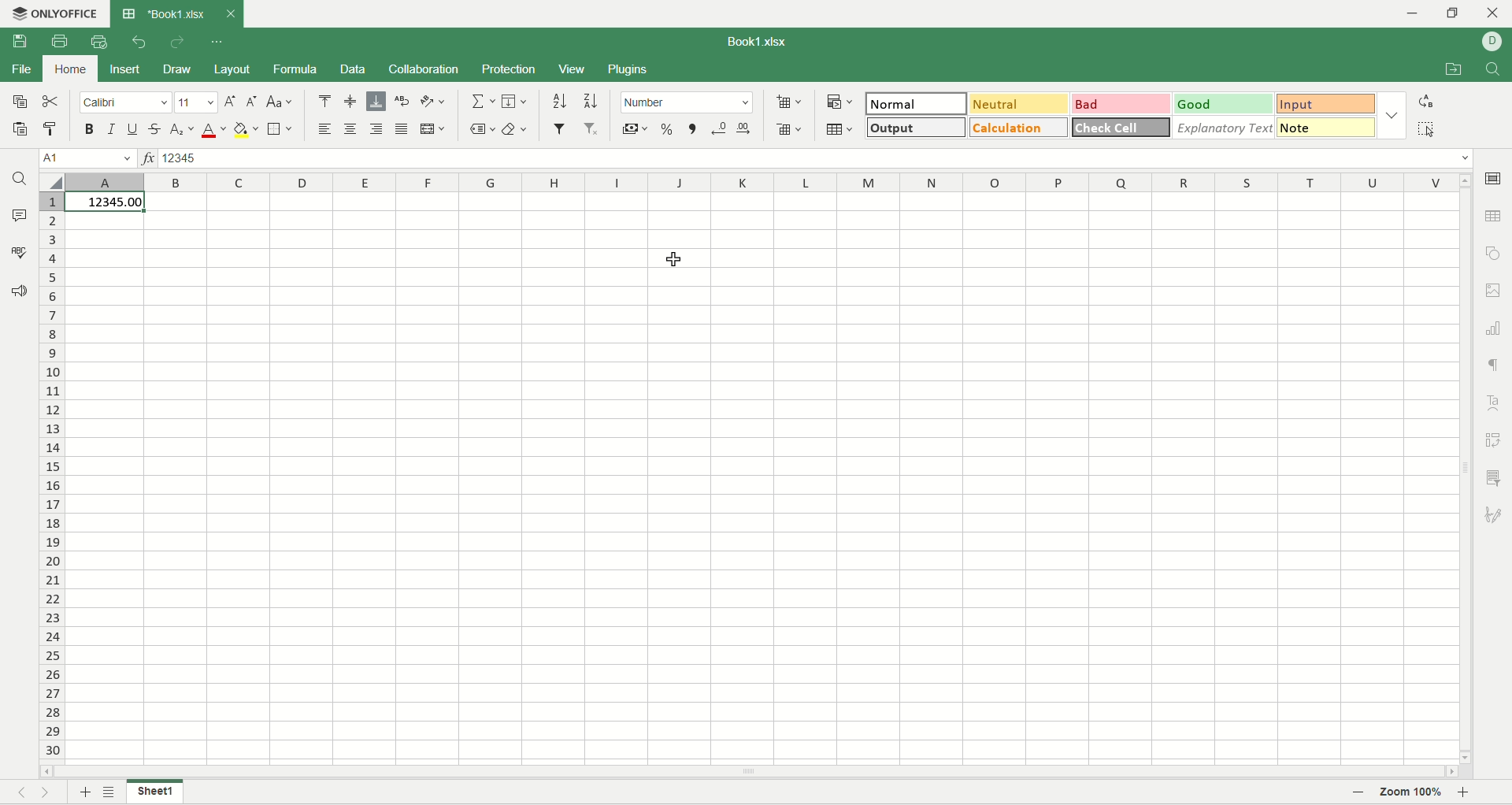 The width and height of the screenshot is (1512, 805). What do you see at coordinates (234, 69) in the screenshot?
I see `layout` at bounding box center [234, 69].